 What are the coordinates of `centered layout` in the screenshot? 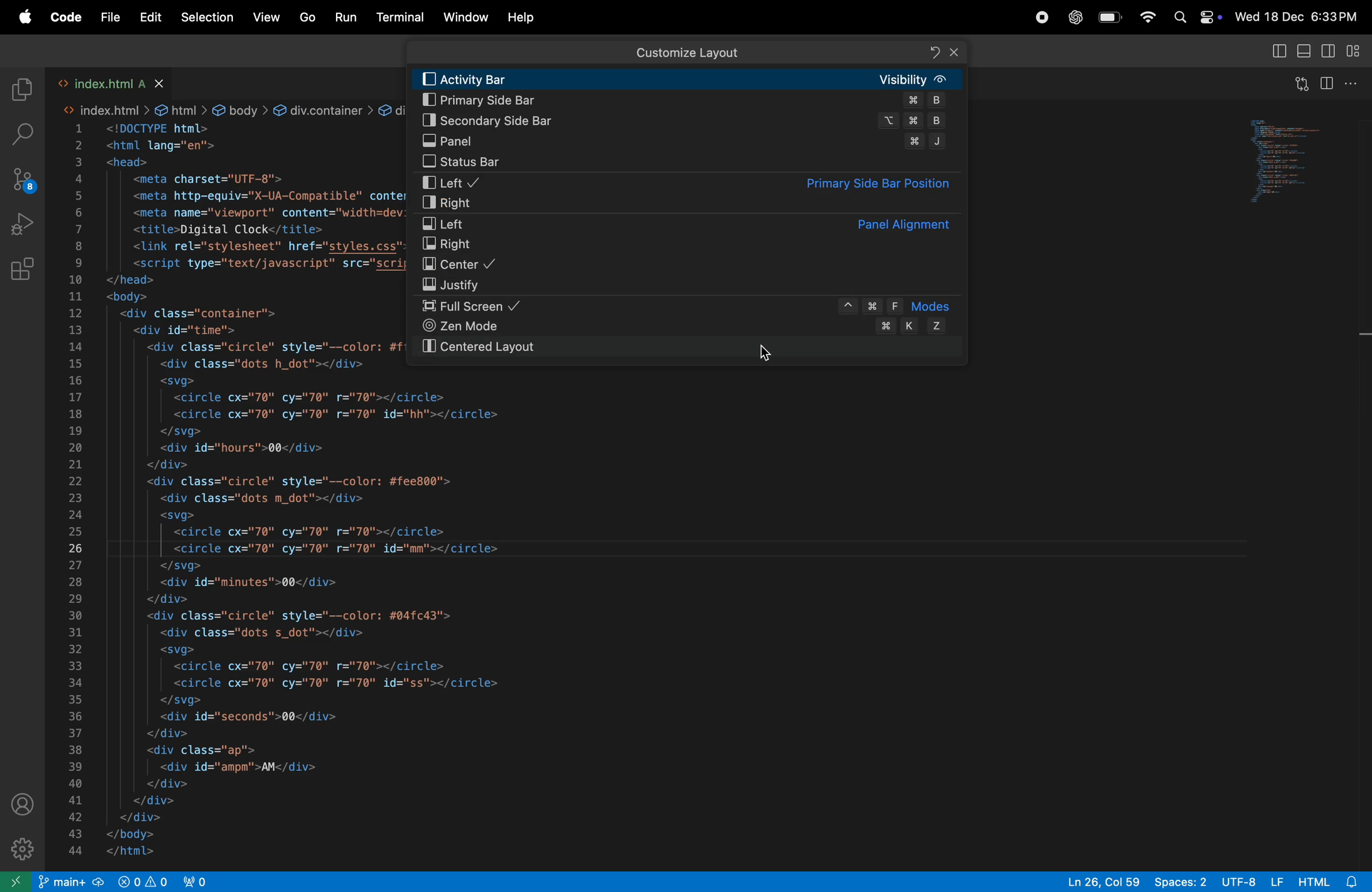 It's located at (691, 348).